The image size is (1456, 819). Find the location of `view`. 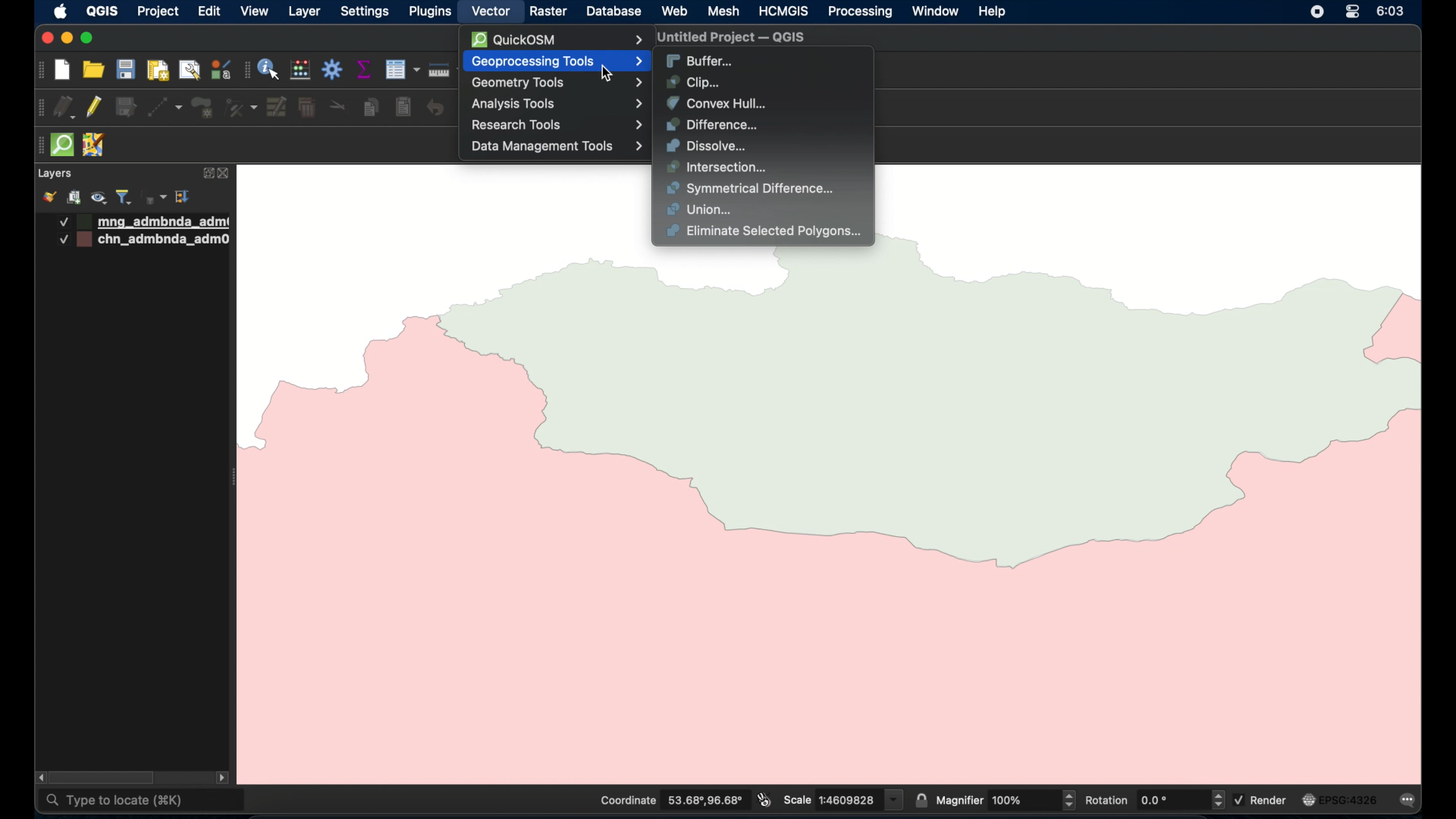

view is located at coordinates (255, 11).